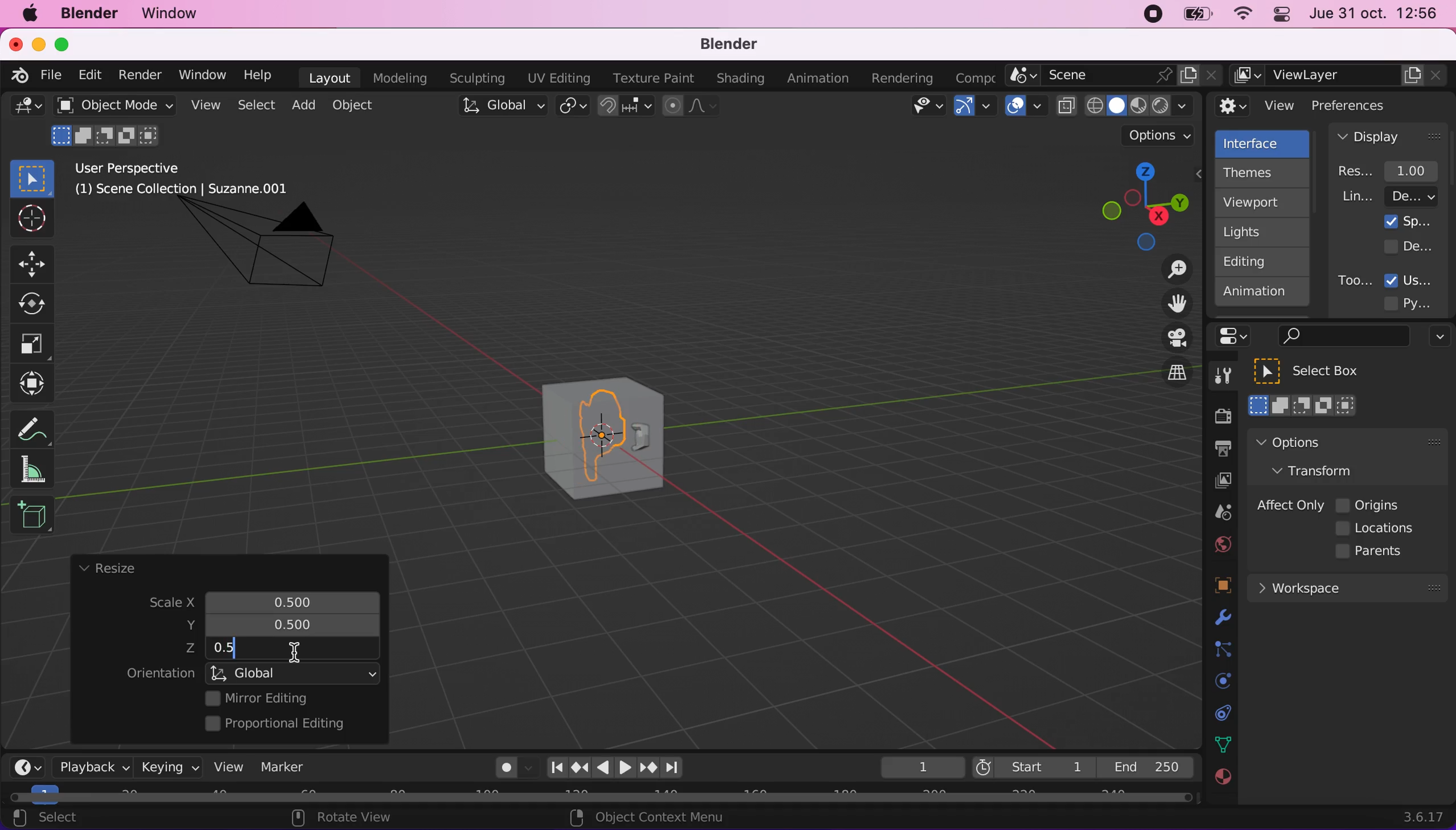 This screenshot has width=1456, height=830. What do you see at coordinates (201, 75) in the screenshot?
I see `window` at bounding box center [201, 75].